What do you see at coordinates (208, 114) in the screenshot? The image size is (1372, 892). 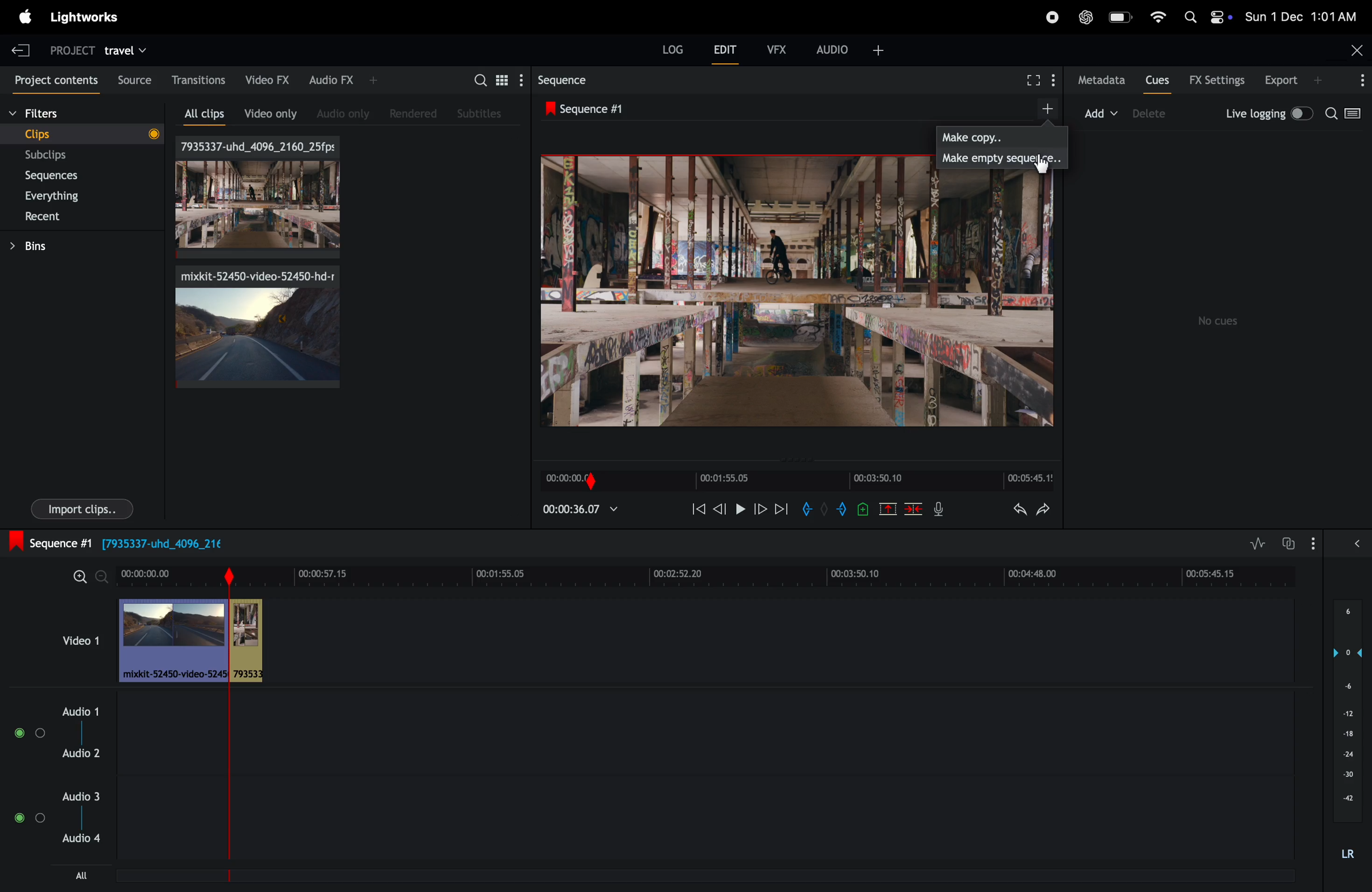 I see `all clips` at bounding box center [208, 114].